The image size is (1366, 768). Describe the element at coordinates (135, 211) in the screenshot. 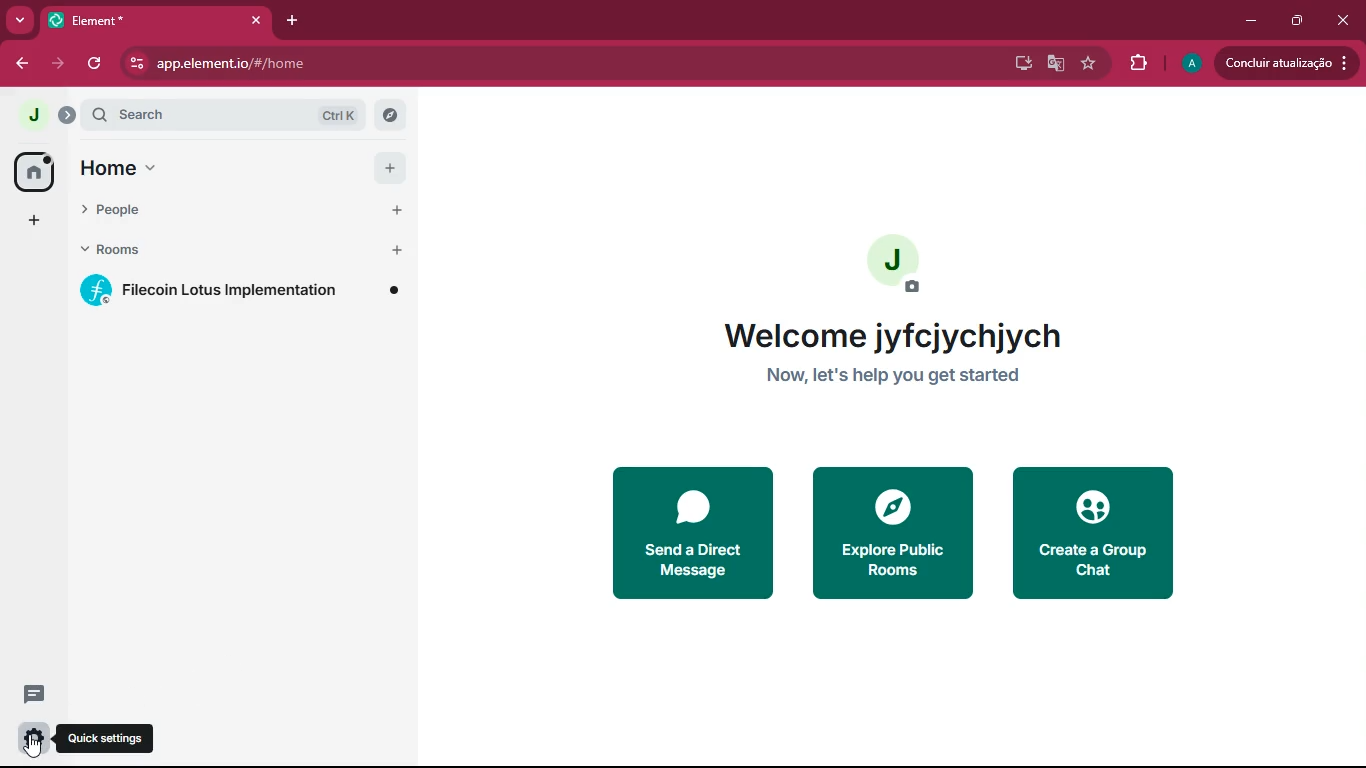

I see `people` at that location.